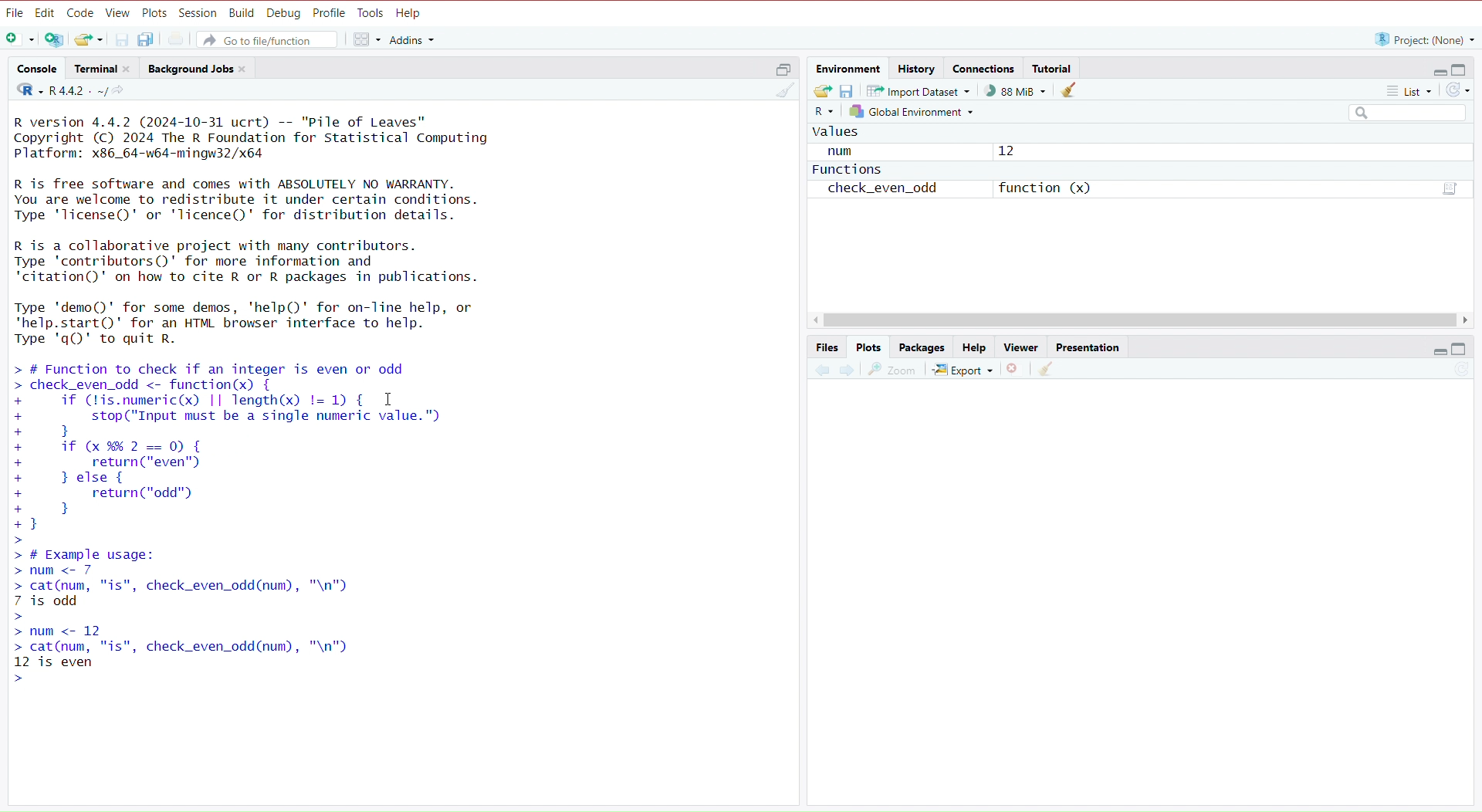 This screenshot has width=1482, height=812. Describe the element at coordinates (271, 39) in the screenshot. I see `go to file/function` at that location.